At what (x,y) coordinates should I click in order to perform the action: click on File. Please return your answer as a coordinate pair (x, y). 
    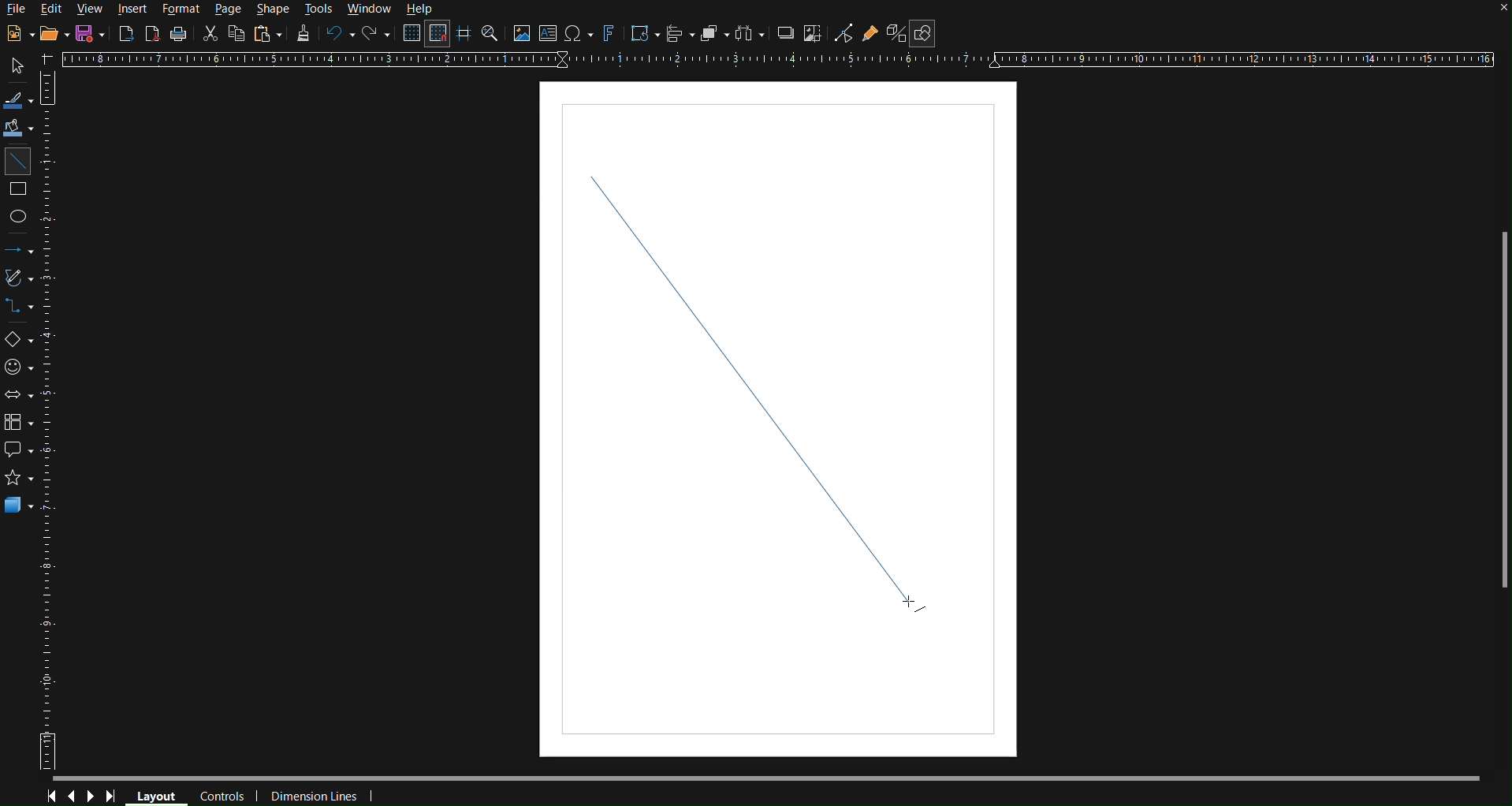
    Looking at the image, I should click on (17, 11).